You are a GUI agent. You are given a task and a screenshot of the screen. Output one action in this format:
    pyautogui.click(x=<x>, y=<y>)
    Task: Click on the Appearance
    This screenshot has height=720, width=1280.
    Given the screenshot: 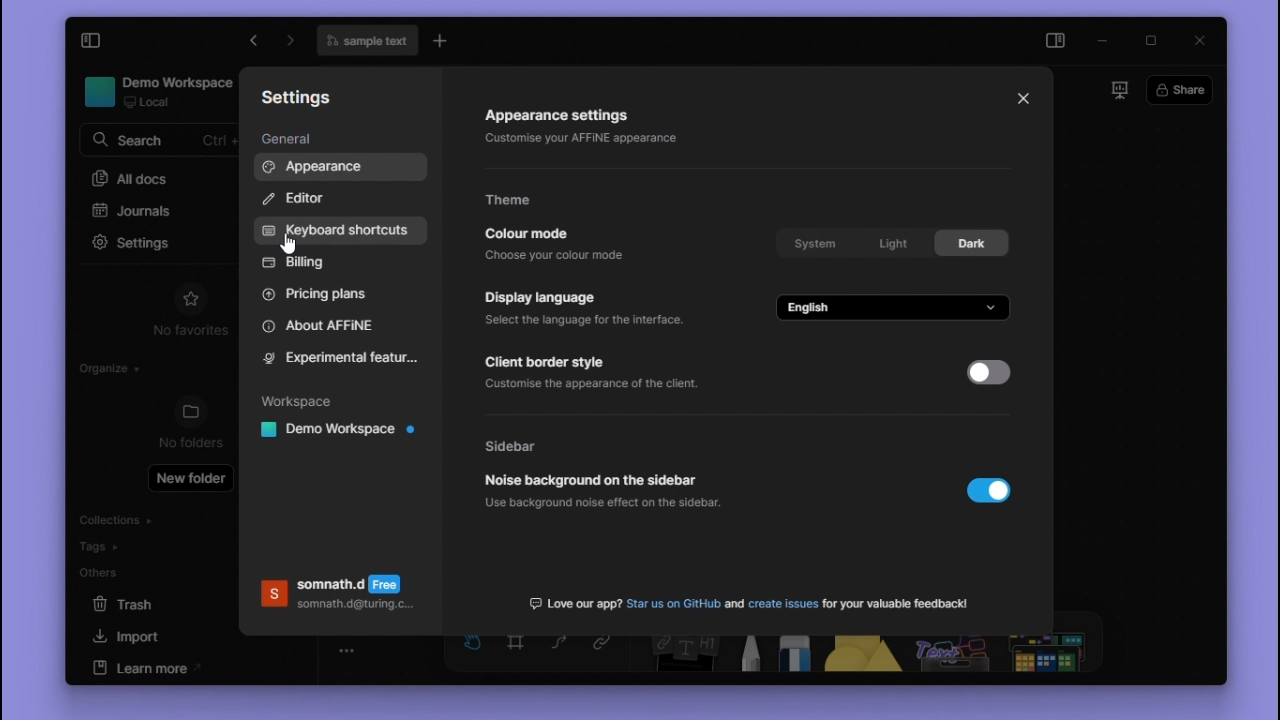 What is the action you would take?
    pyautogui.click(x=341, y=169)
    